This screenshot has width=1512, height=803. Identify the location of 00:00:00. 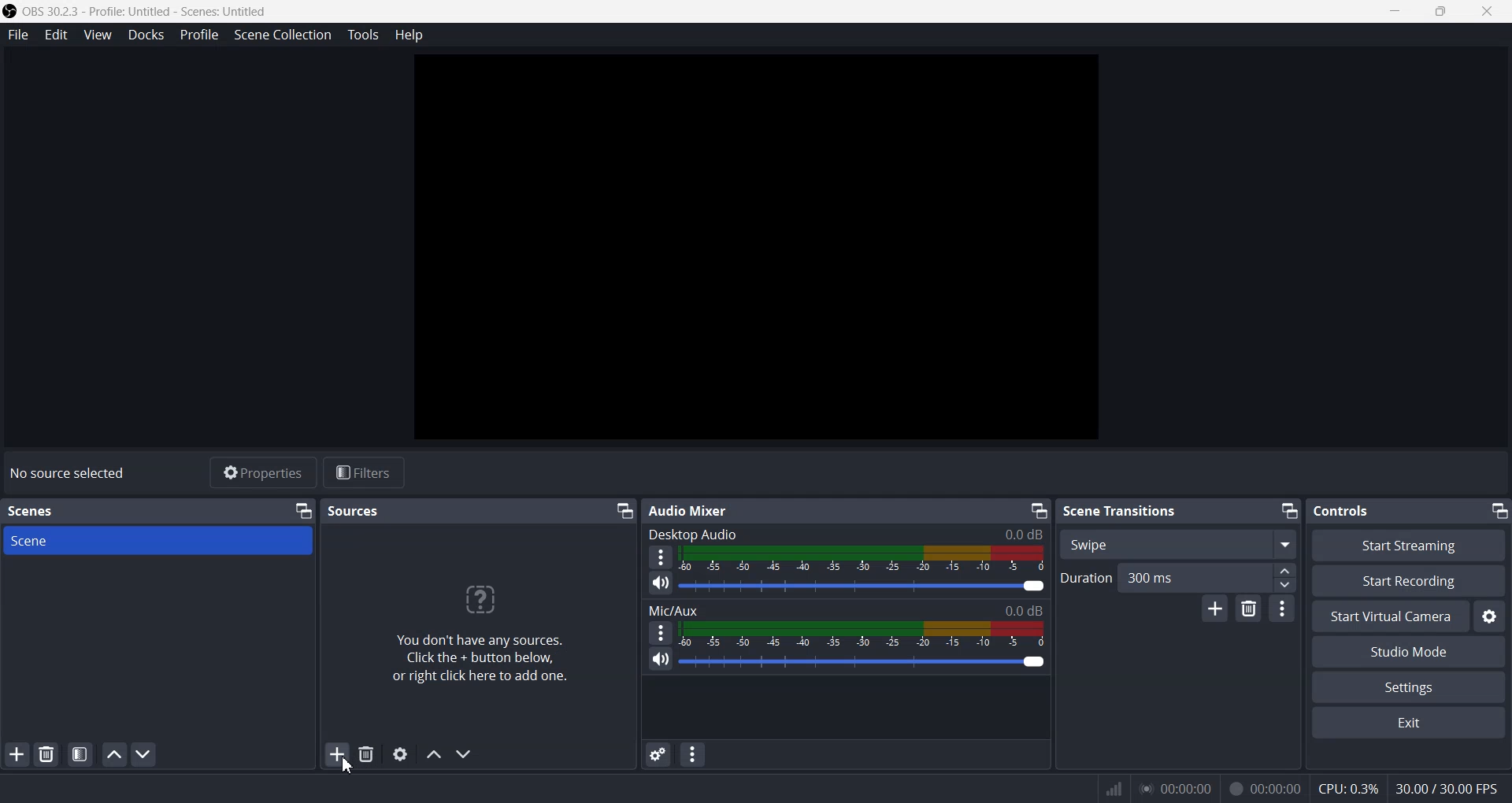
(1265, 787).